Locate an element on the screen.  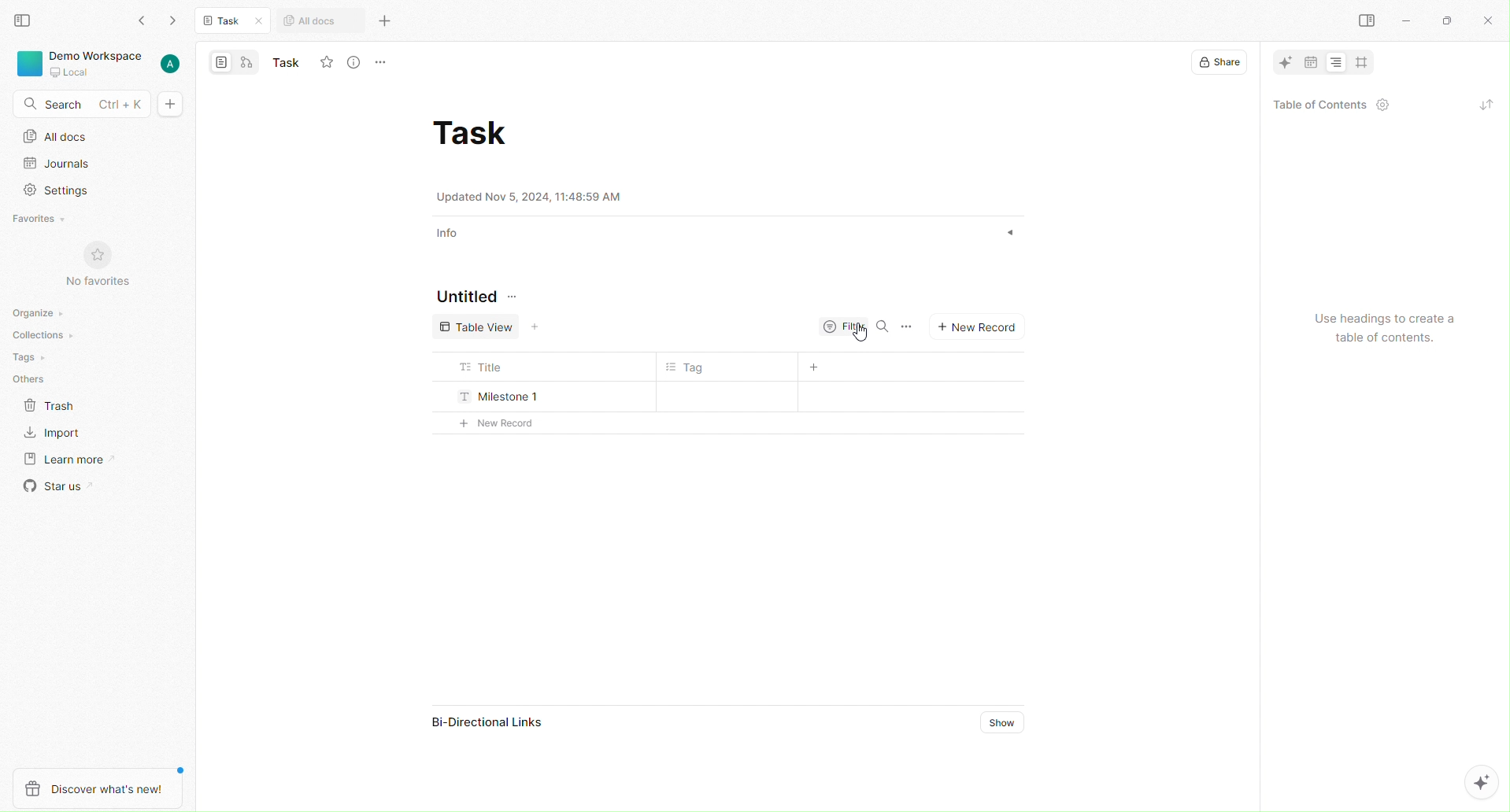
Use headings to create a
table of contents. is located at coordinates (1380, 327).